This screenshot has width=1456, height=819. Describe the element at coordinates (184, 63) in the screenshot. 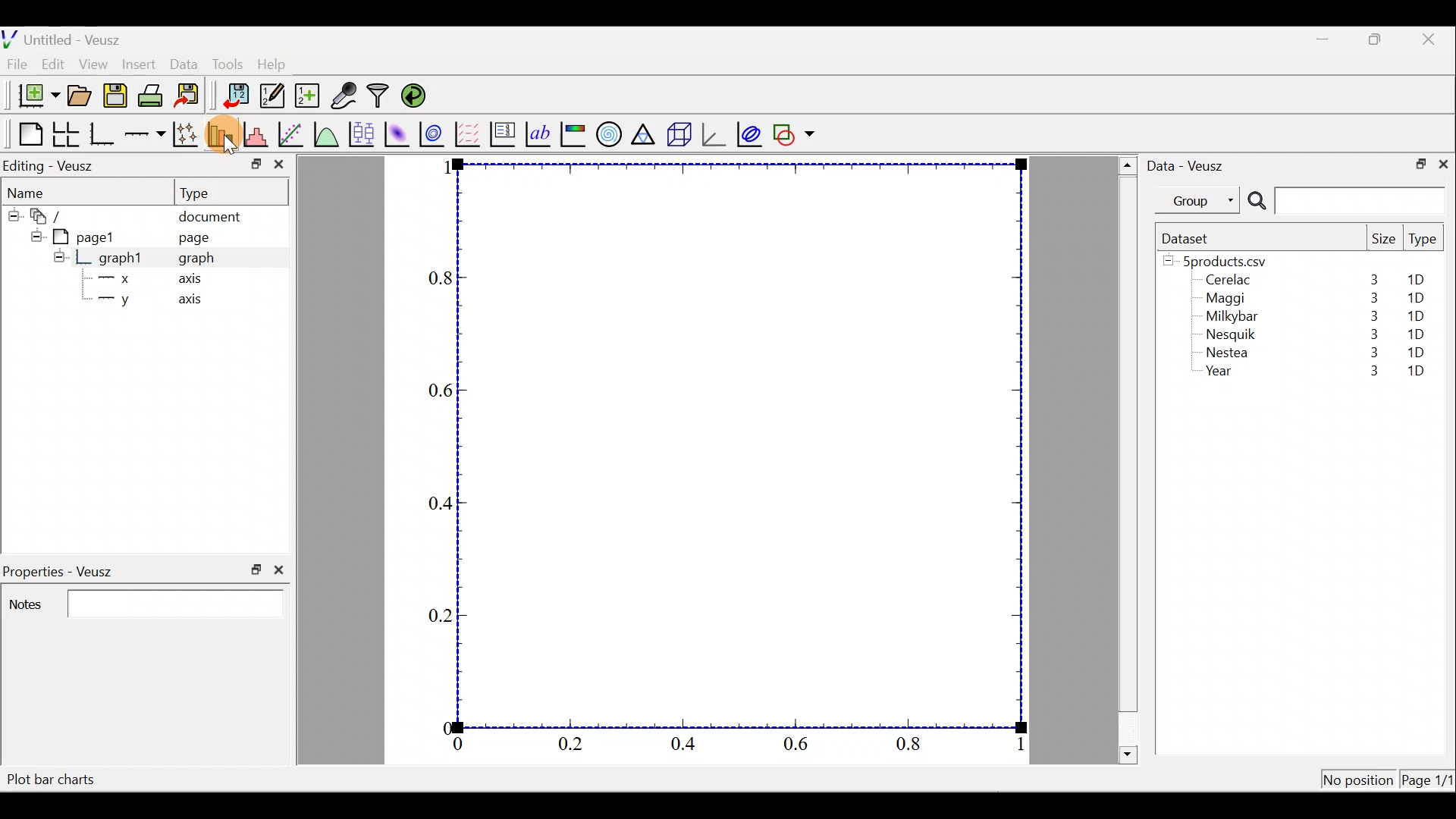

I see `Data` at that location.